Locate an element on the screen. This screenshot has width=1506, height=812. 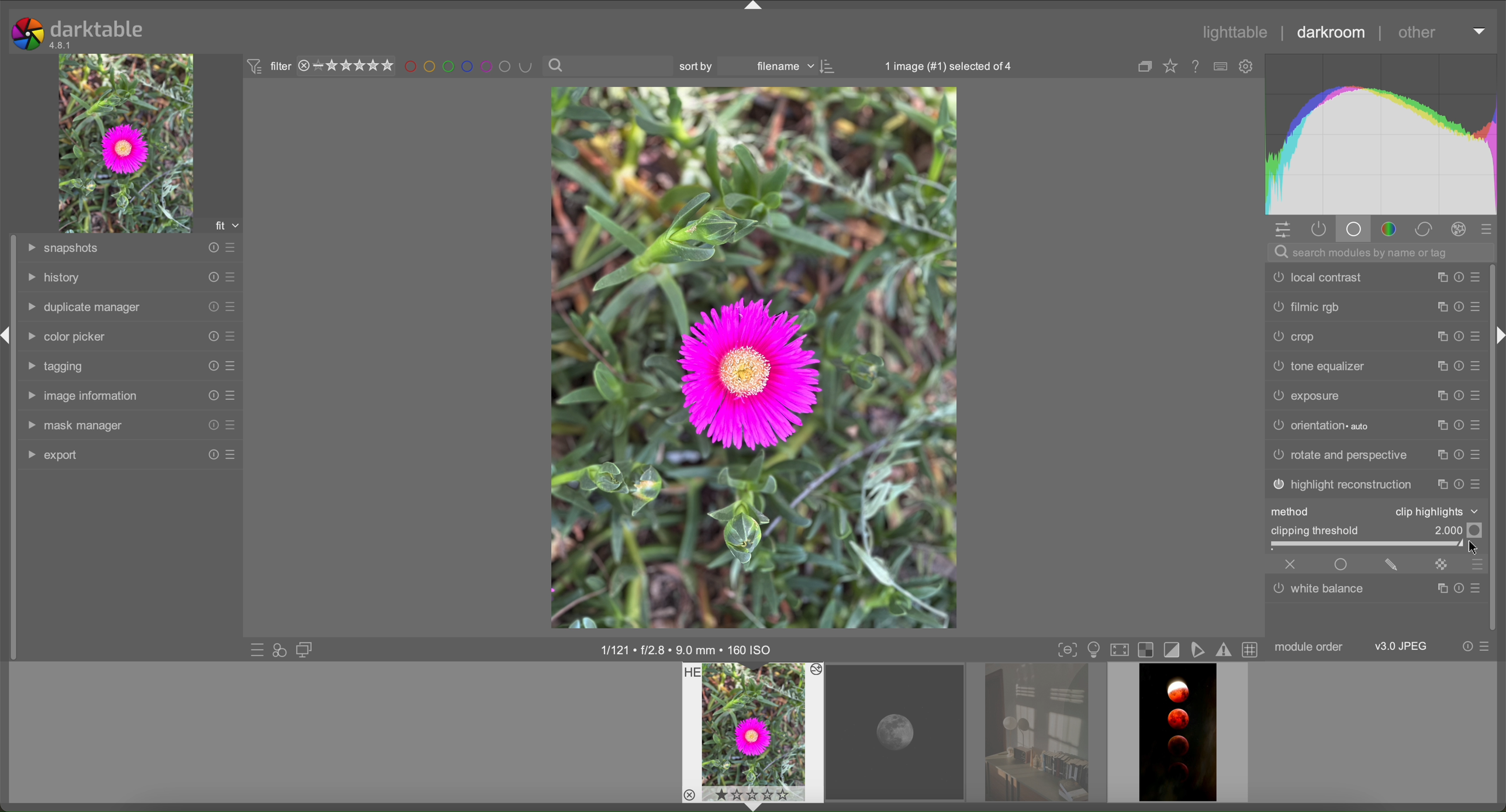
module order is located at coordinates (1310, 647).